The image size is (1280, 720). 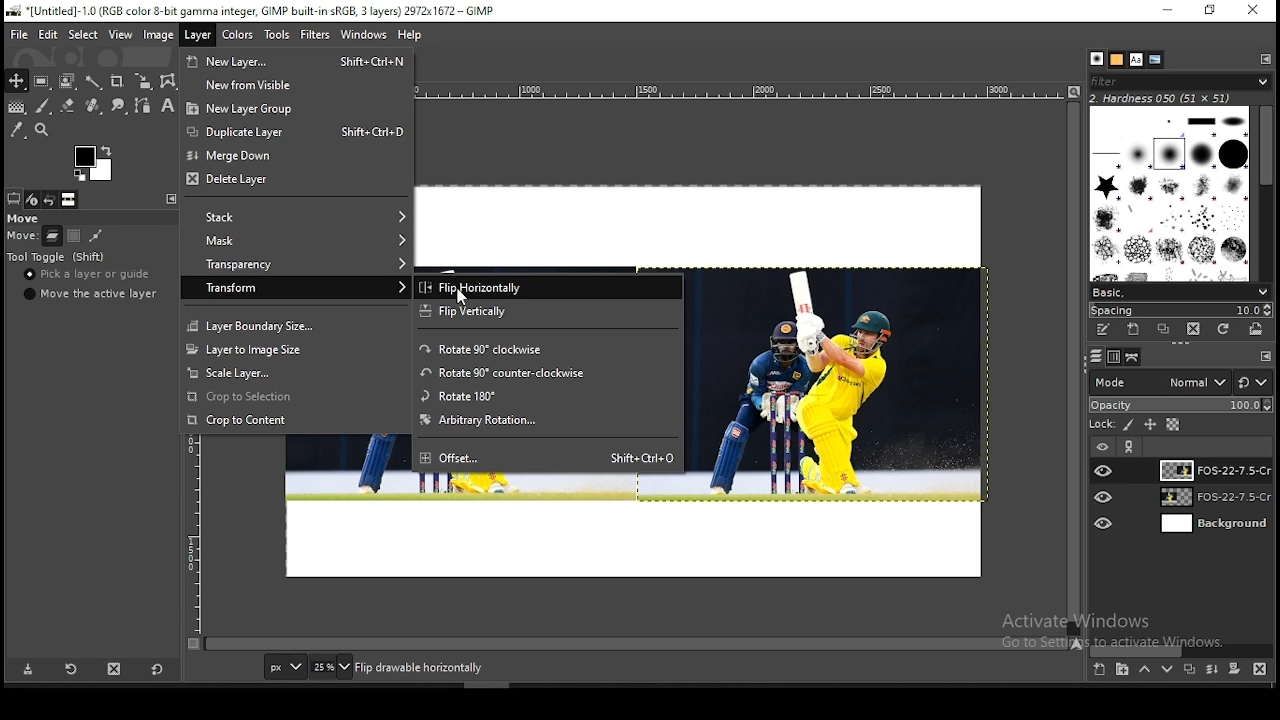 I want to click on fuzzy select tool, so click(x=96, y=80).